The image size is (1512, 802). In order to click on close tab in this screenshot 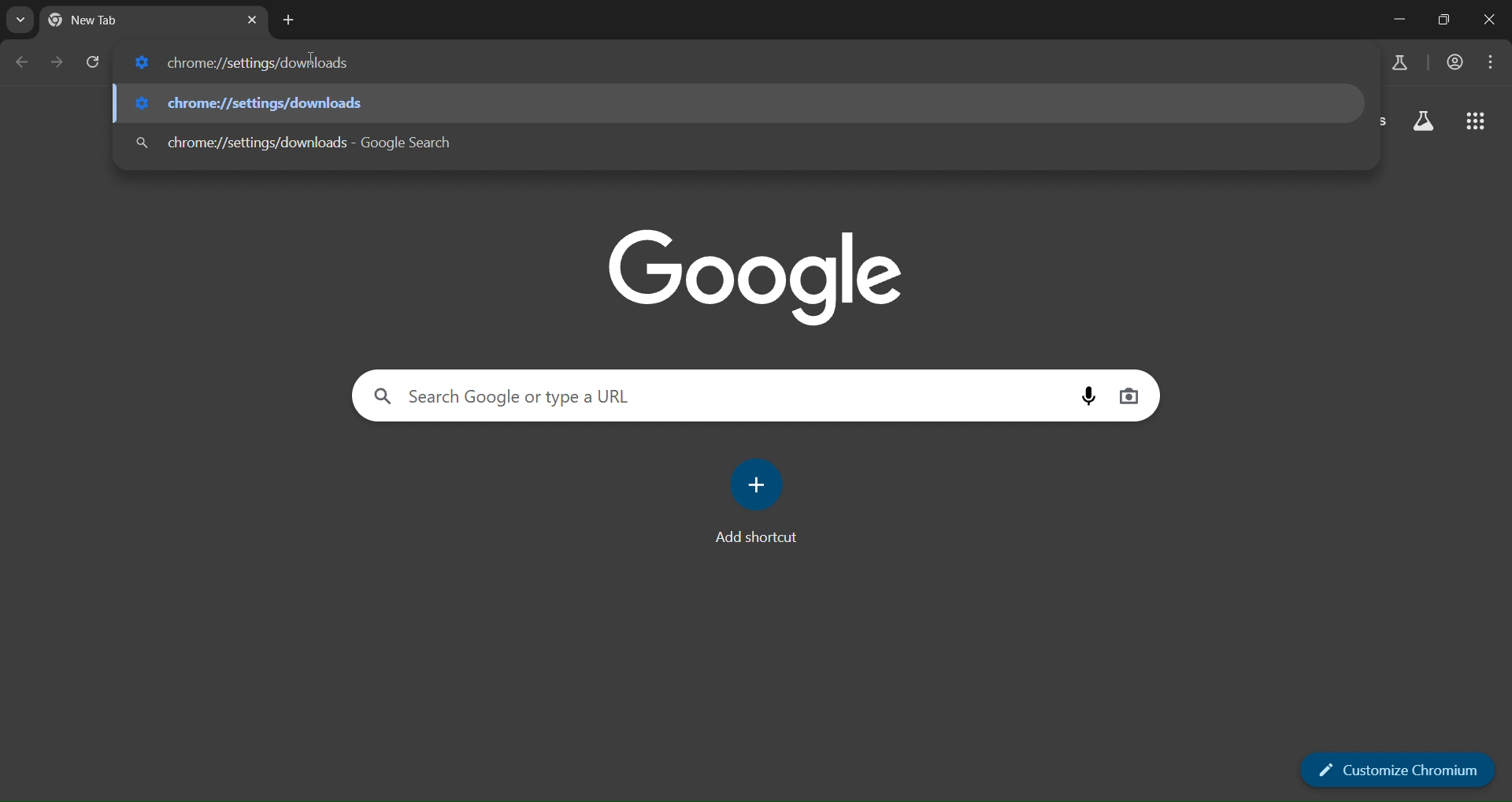, I will do `click(252, 20)`.